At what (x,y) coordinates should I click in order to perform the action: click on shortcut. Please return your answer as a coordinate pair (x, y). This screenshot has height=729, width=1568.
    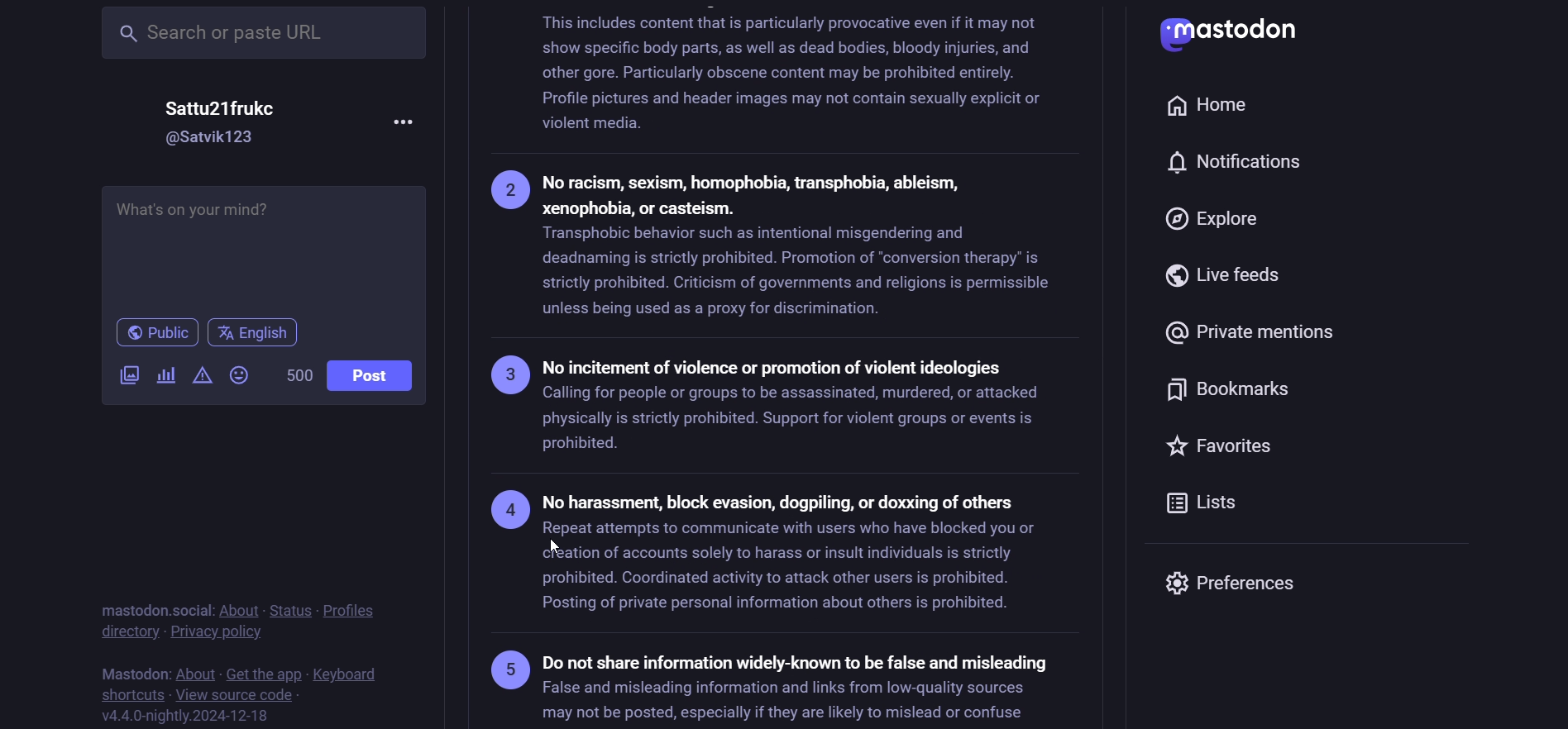
    Looking at the image, I should click on (127, 693).